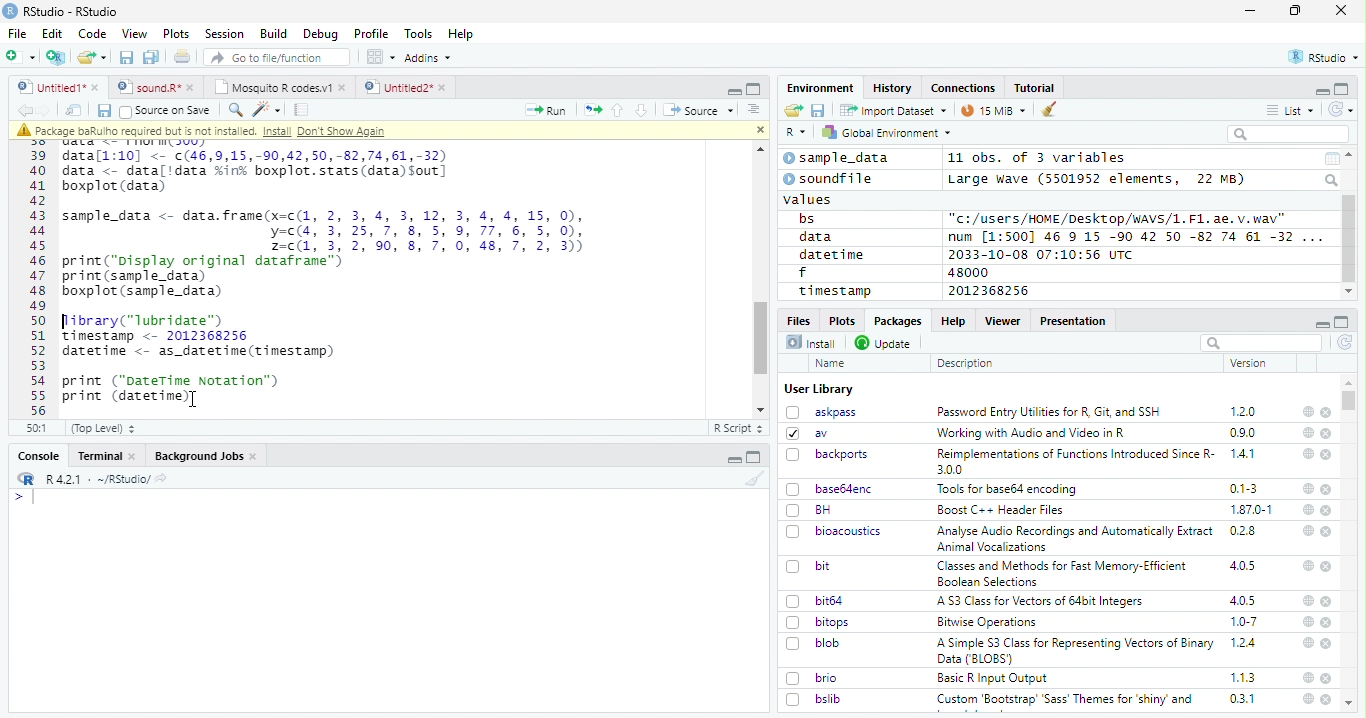 The height and width of the screenshot is (718, 1366). I want to click on bit64, so click(815, 601).